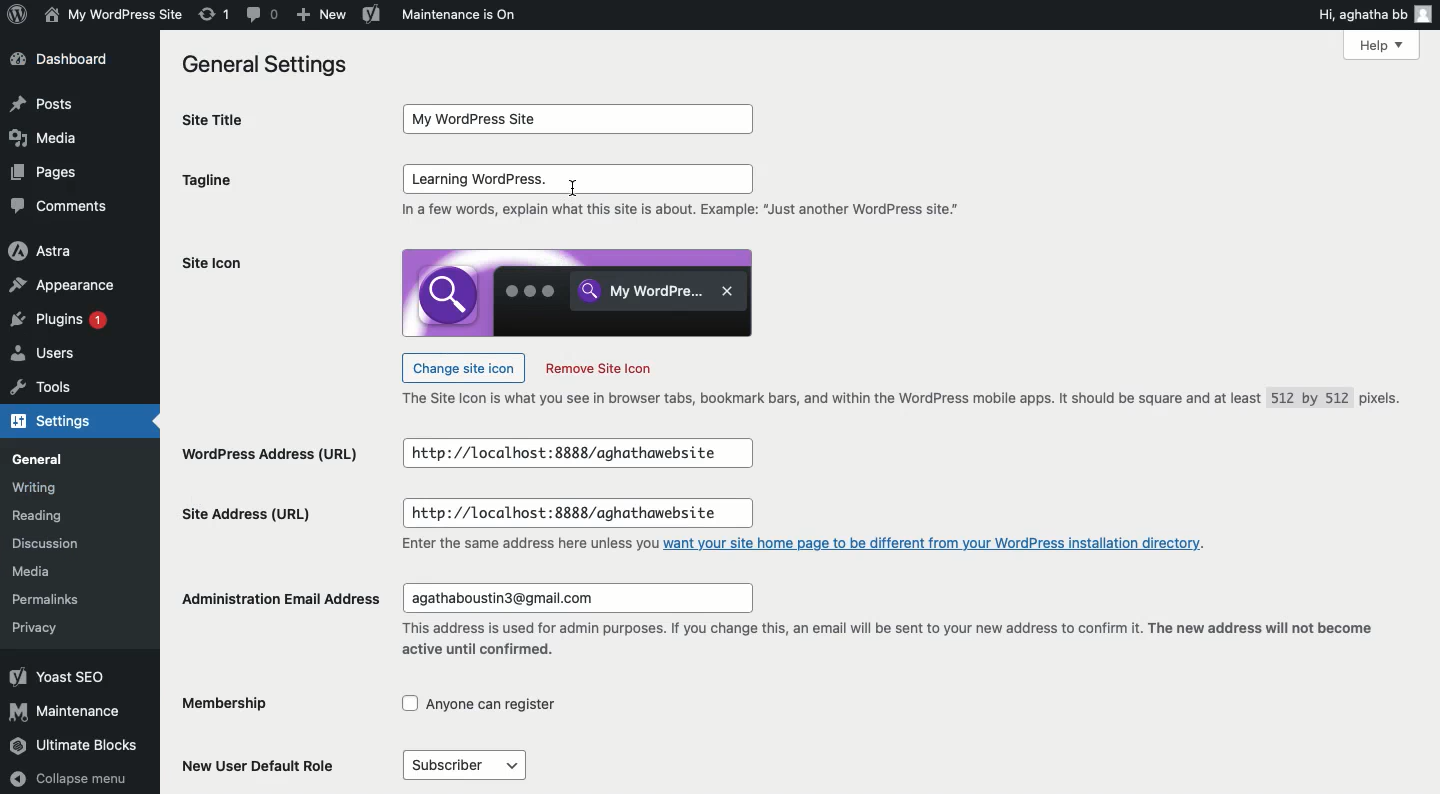 The width and height of the screenshot is (1440, 794). I want to click on Maintenance, so click(67, 711).